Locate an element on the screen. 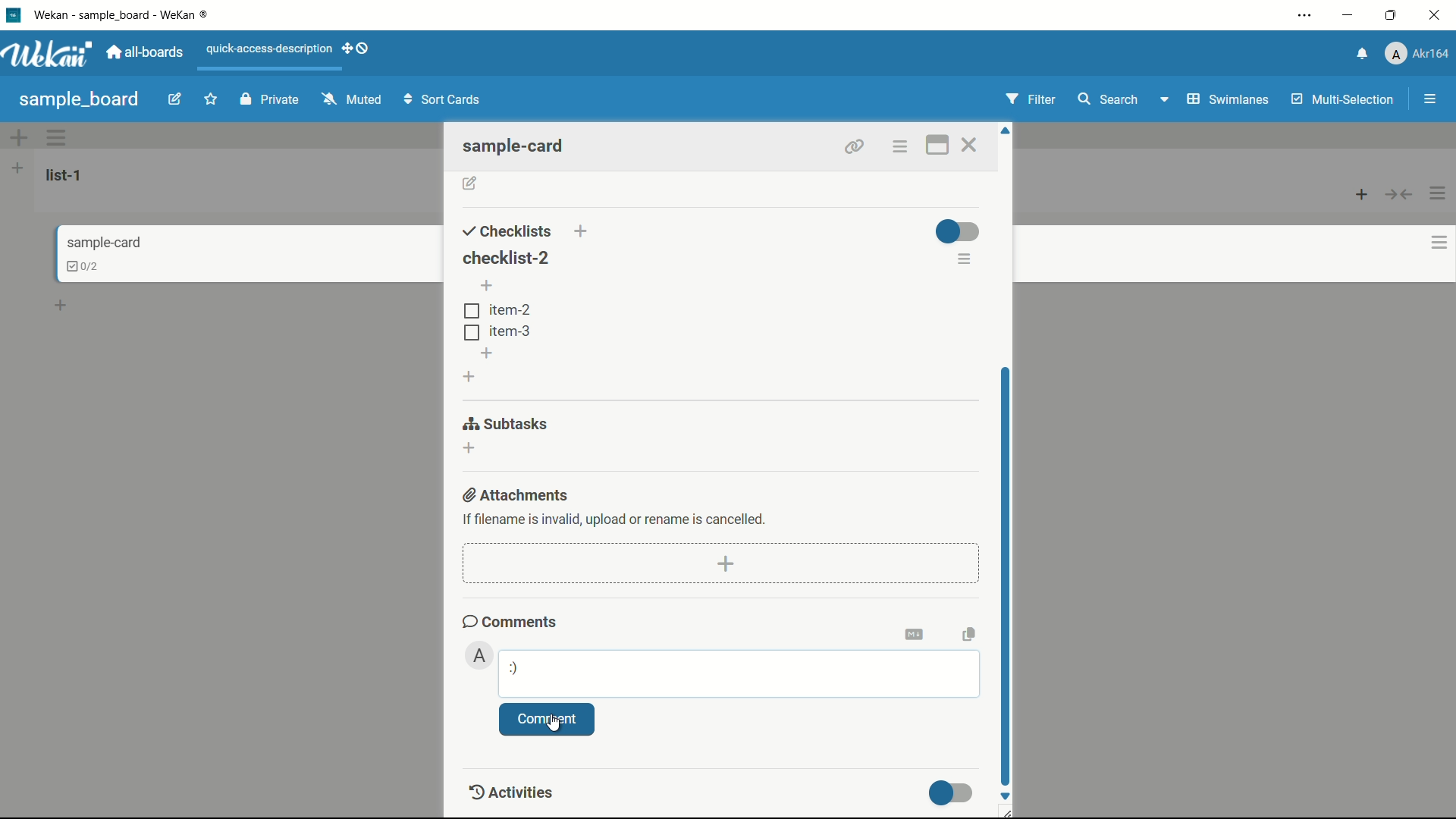 This screenshot has height=819, width=1456. swimlanes is located at coordinates (1227, 99).